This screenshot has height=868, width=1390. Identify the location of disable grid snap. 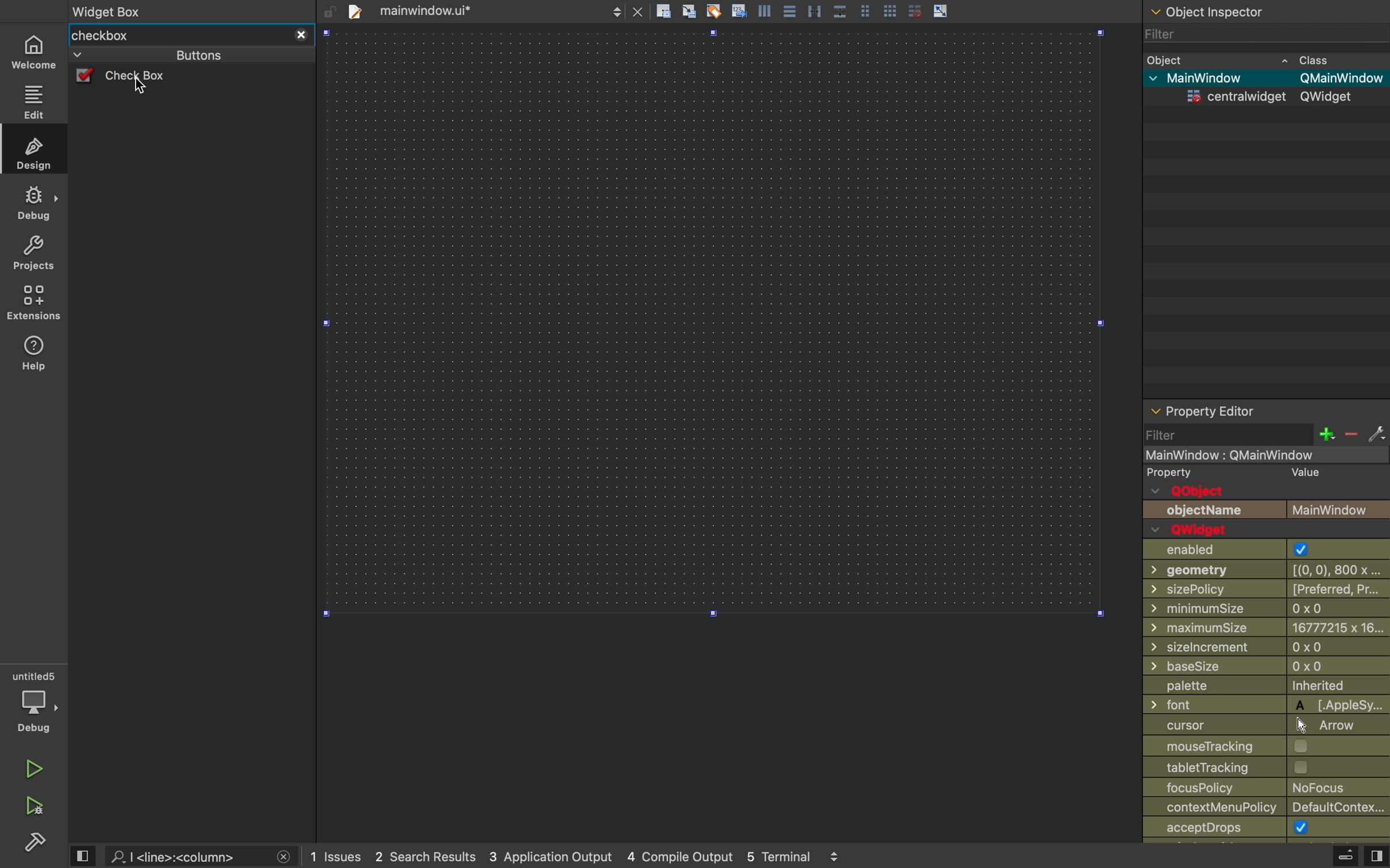
(913, 10).